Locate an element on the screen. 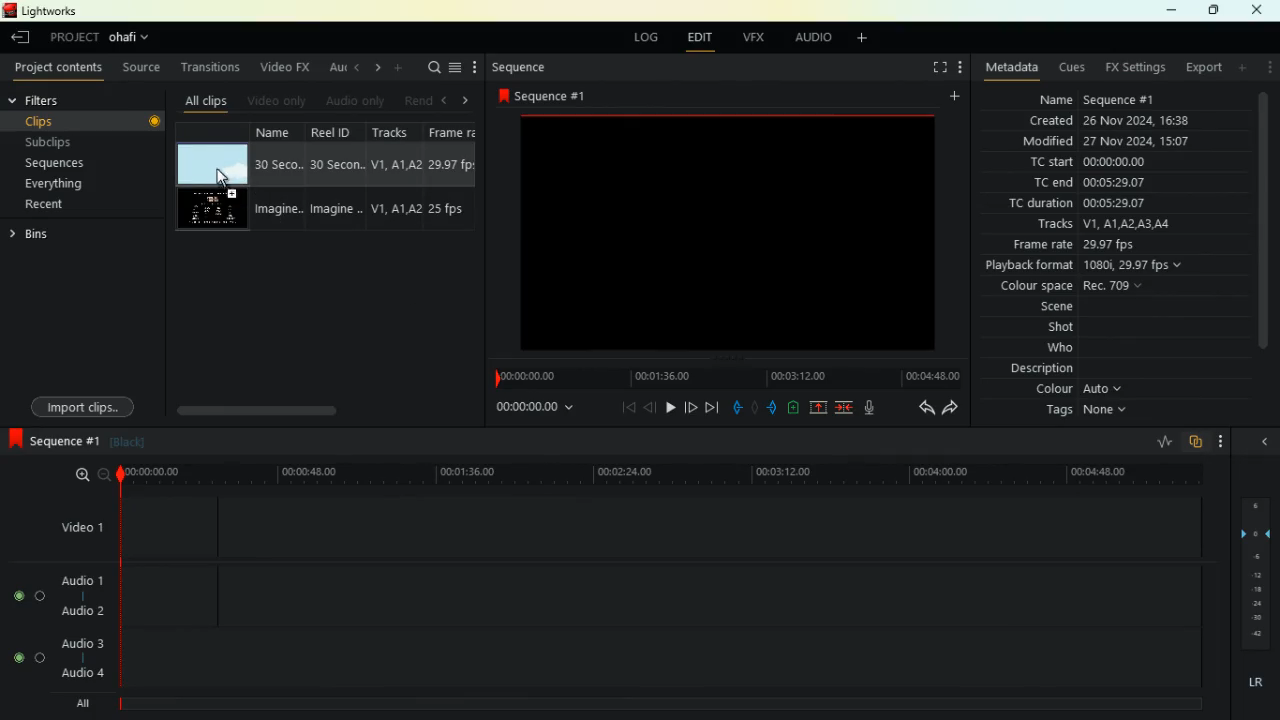  push is located at coordinates (771, 407).